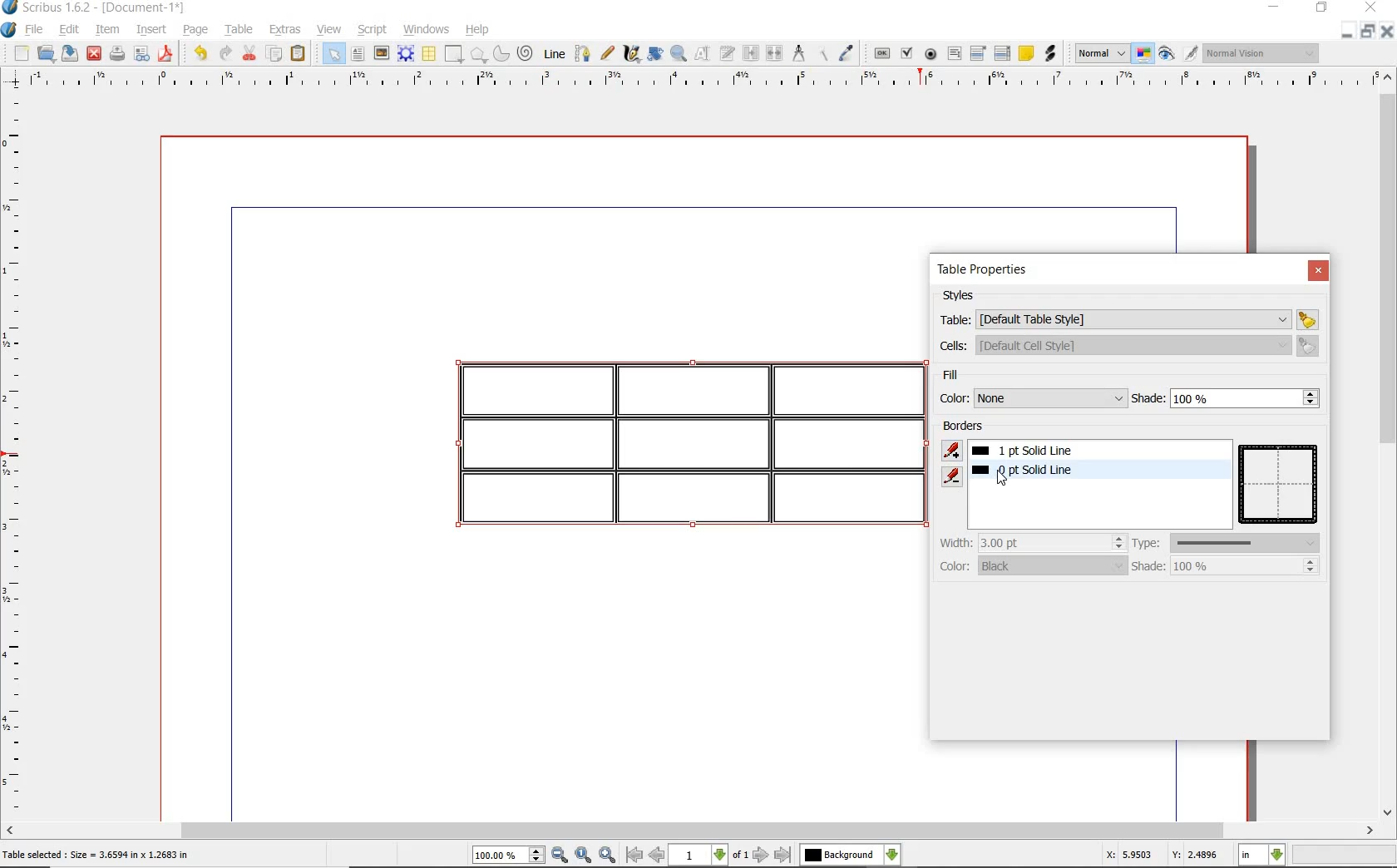 Image resolution: width=1397 pixels, height=868 pixels. I want to click on select the current layer, so click(852, 853).